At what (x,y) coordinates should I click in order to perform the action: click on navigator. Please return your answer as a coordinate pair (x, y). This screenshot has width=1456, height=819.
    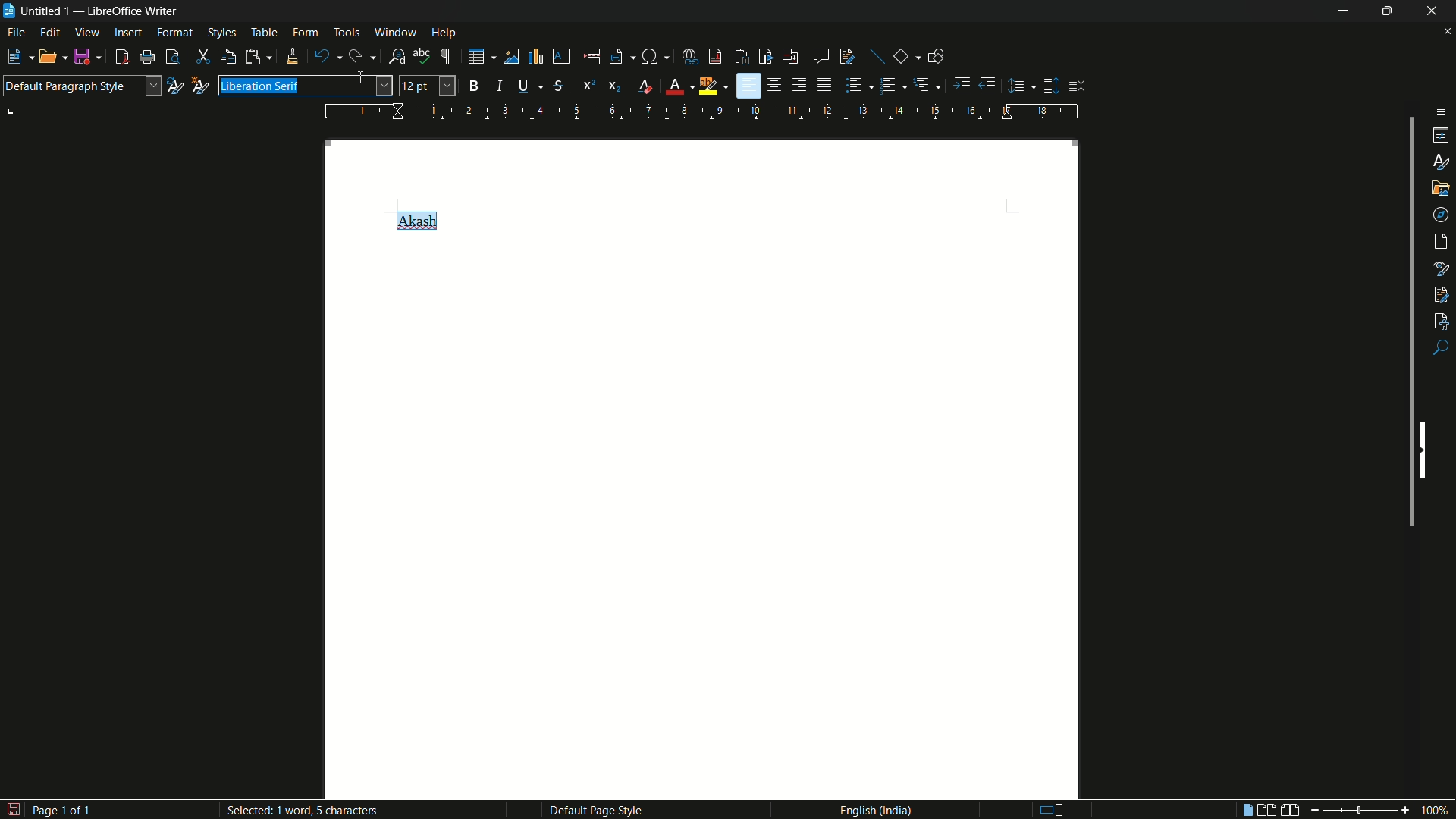
    Looking at the image, I should click on (1442, 214).